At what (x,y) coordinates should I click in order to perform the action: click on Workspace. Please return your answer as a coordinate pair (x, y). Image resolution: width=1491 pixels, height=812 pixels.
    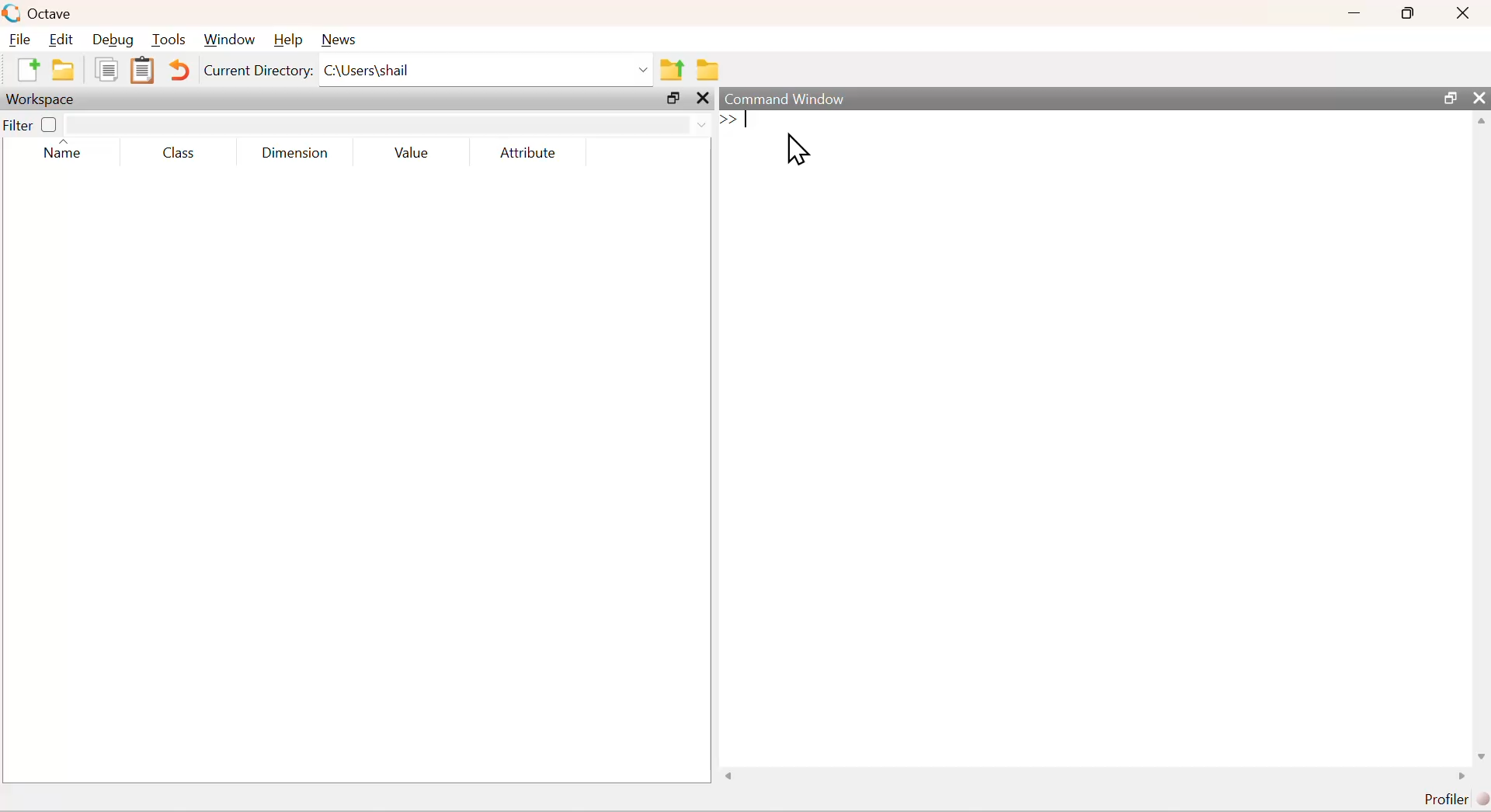
    Looking at the image, I should click on (42, 99).